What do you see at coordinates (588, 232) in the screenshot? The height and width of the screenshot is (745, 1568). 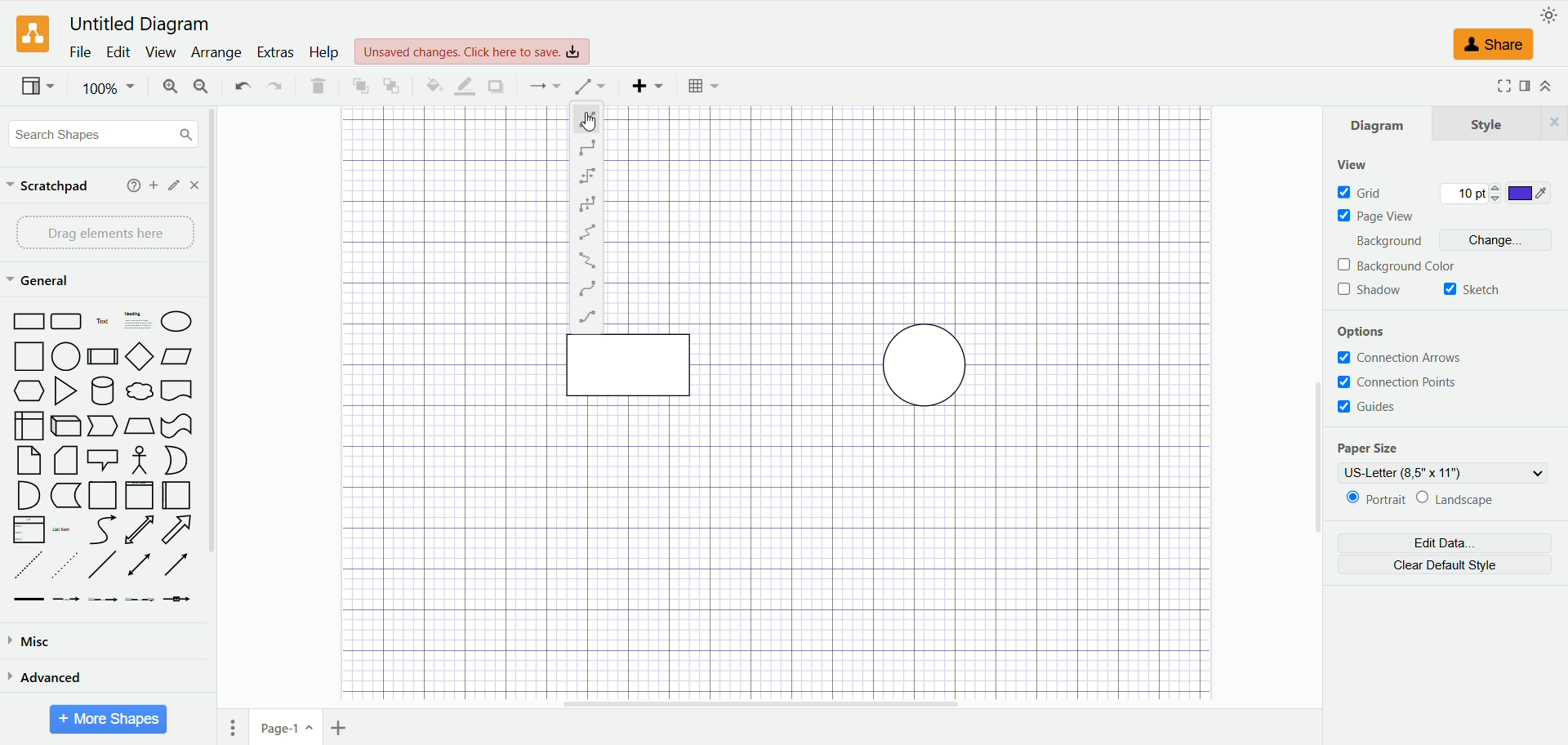 I see `Isometric Waypoint` at bounding box center [588, 232].